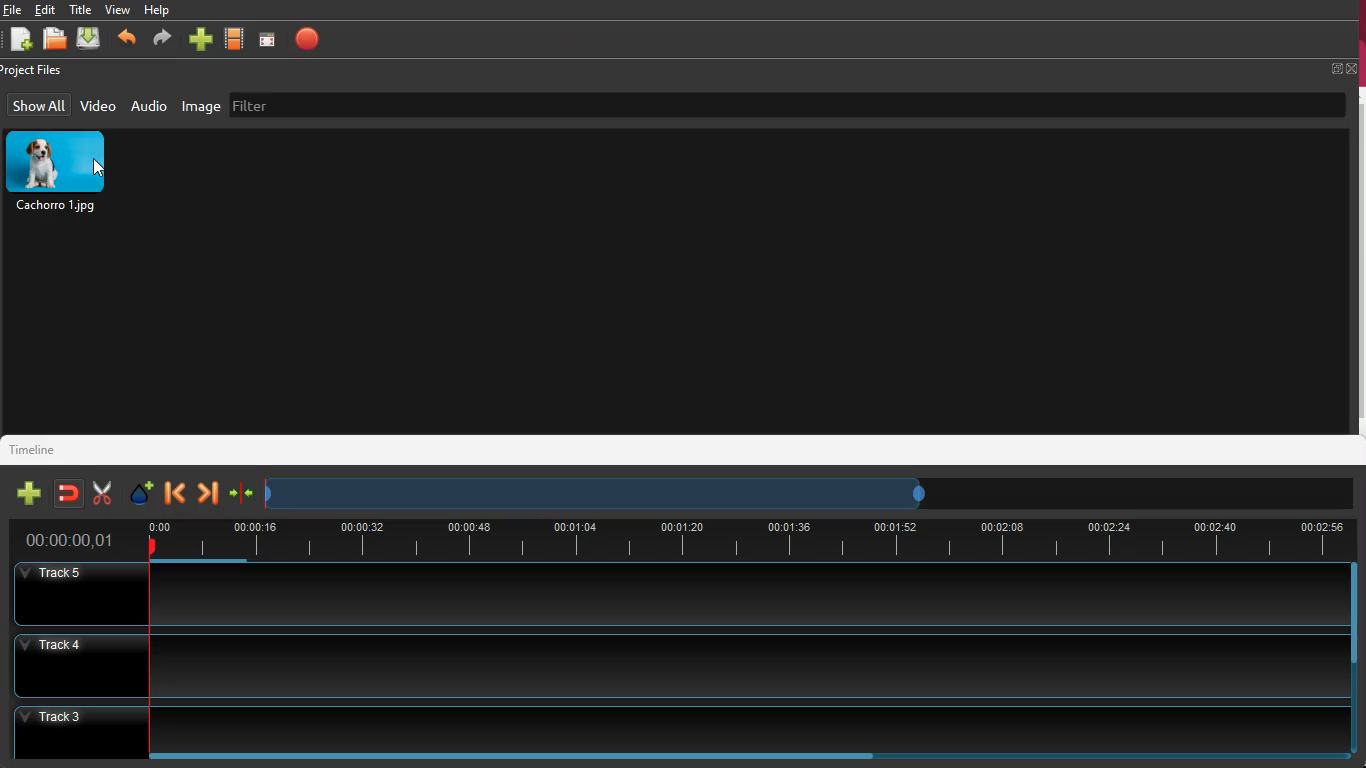 The height and width of the screenshot is (768, 1366). I want to click on forward, so click(163, 40).